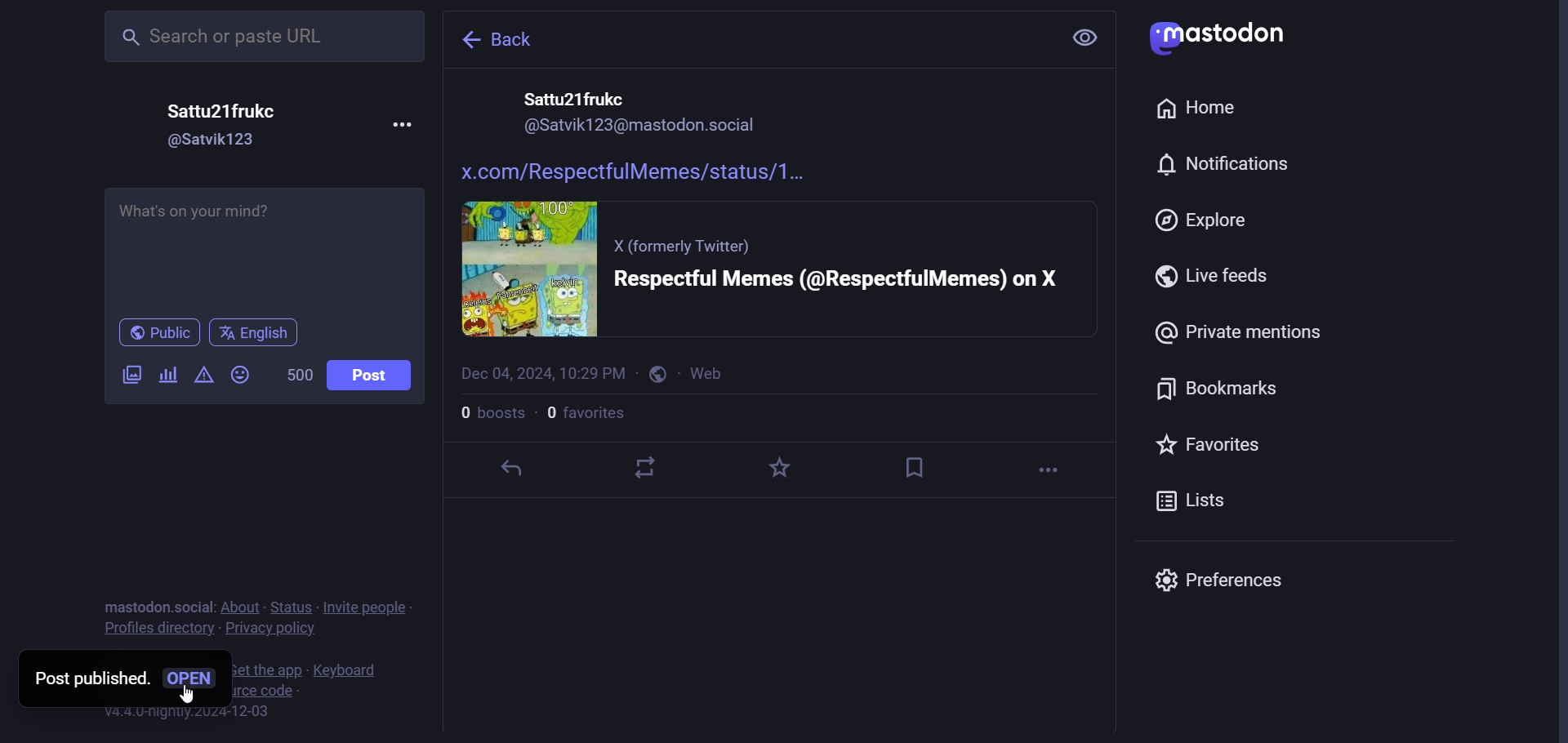 This screenshot has height=743, width=1568. Describe the element at coordinates (271, 36) in the screenshot. I see `Search or paste URL` at that location.